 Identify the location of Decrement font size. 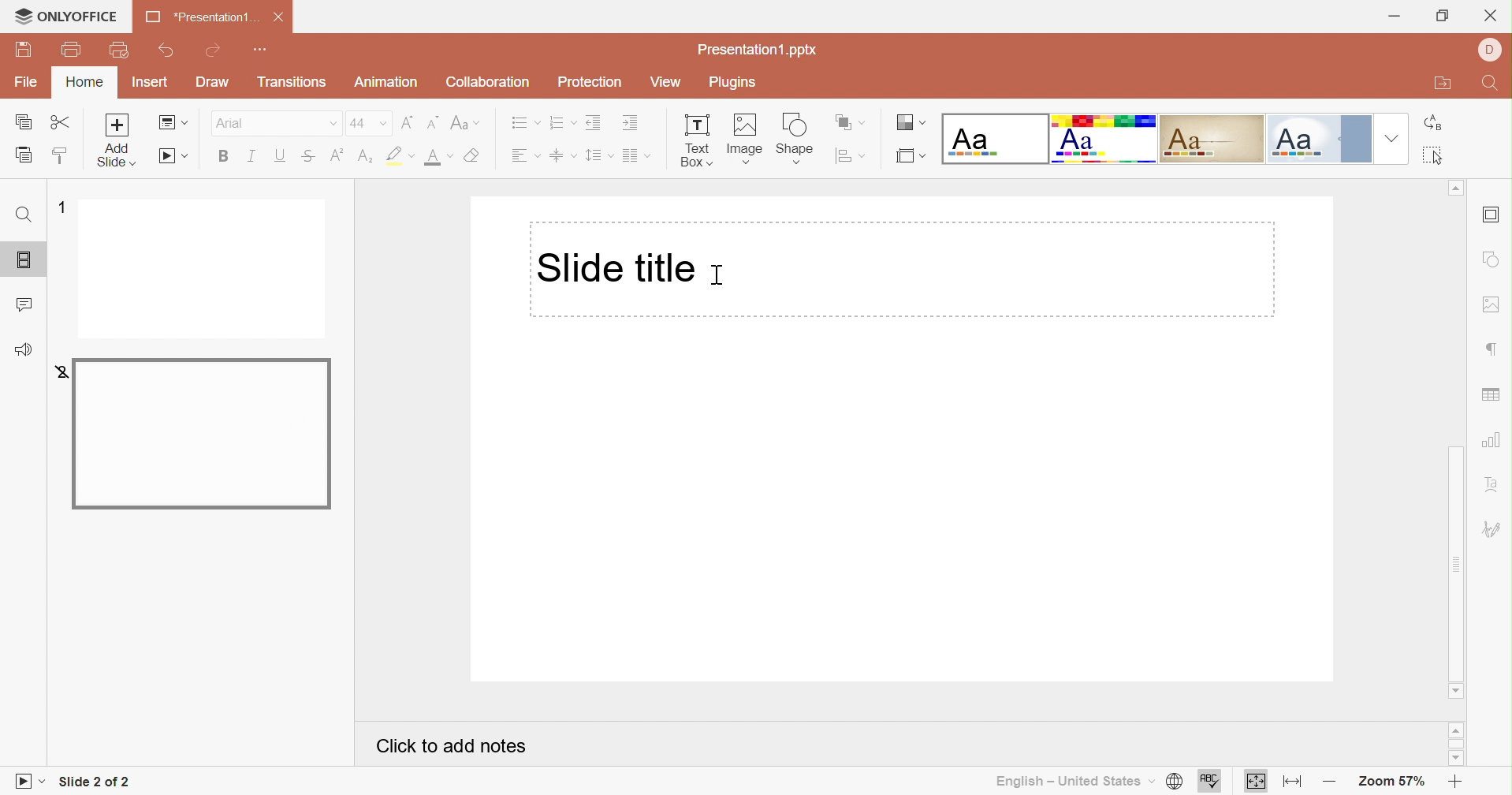
(432, 121).